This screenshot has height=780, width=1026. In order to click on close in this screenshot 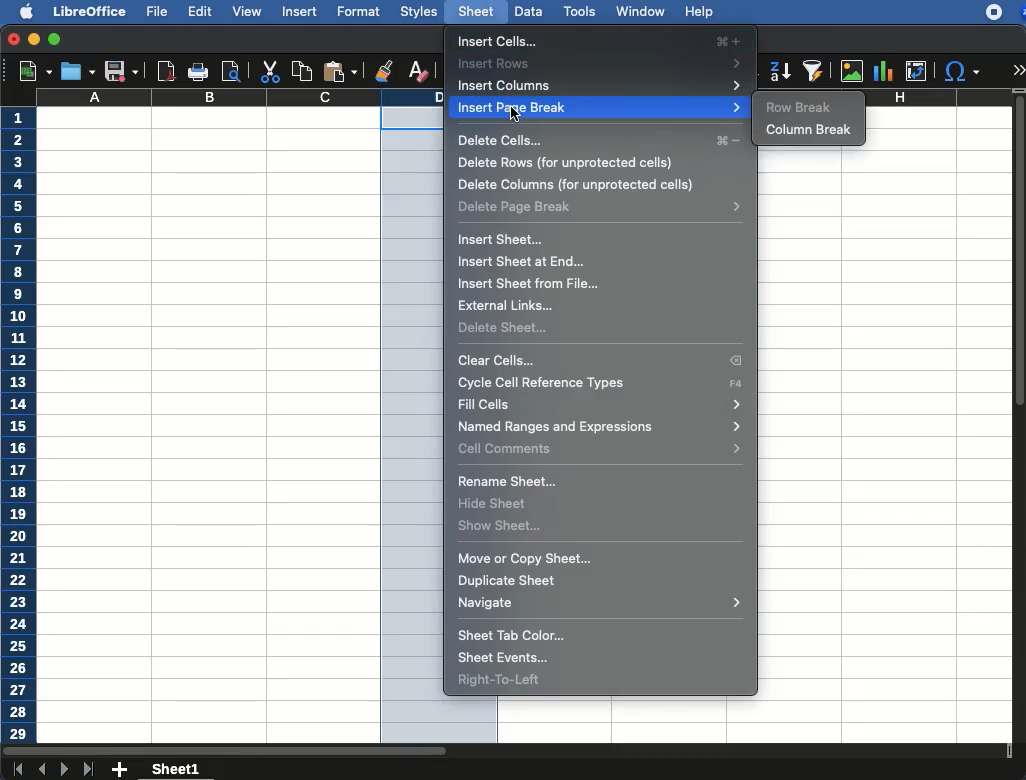, I will do `click(13, 39)`.